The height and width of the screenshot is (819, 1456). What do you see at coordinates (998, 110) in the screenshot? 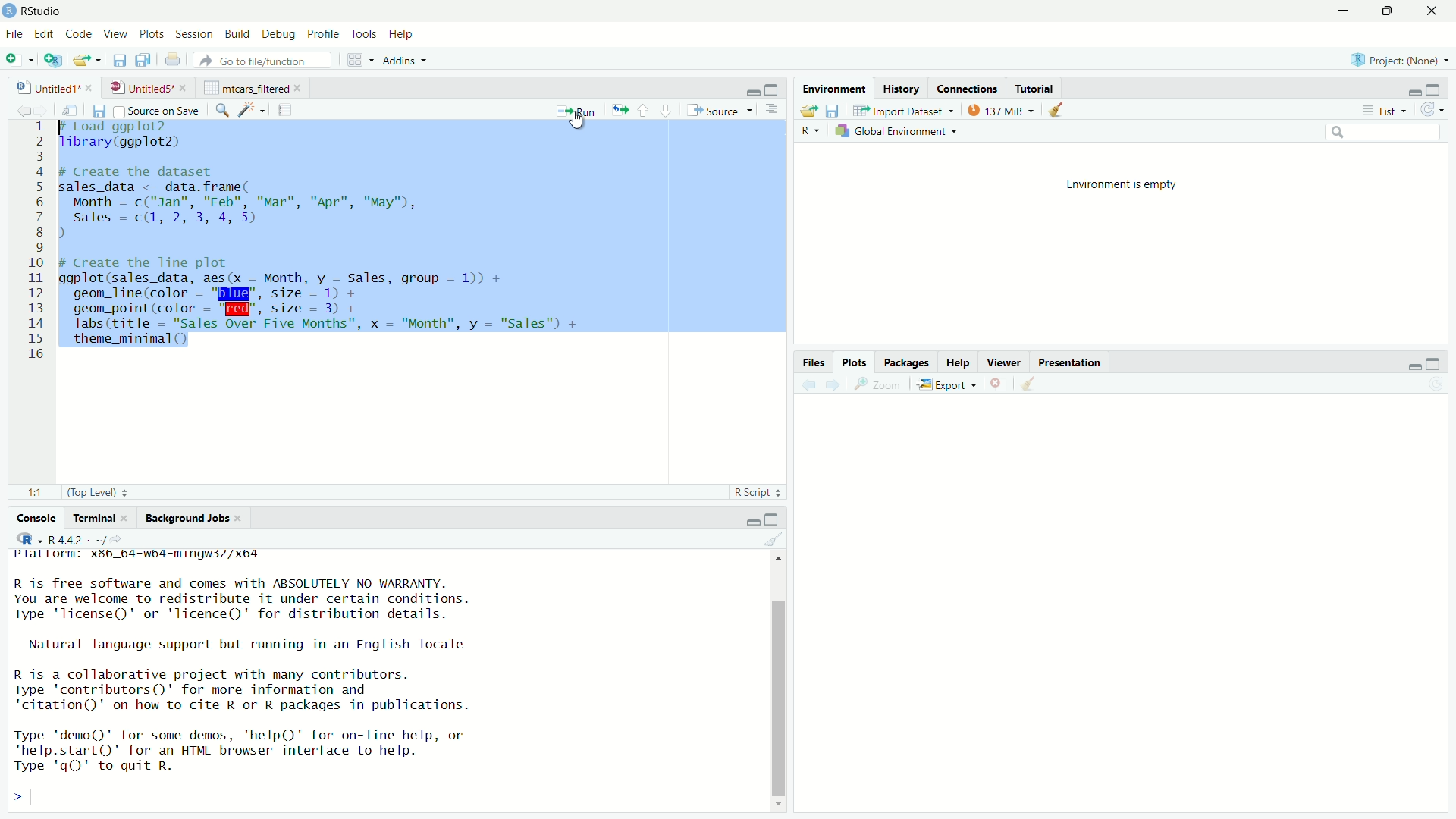
I see `137MB` at bounding box center [998, 110].